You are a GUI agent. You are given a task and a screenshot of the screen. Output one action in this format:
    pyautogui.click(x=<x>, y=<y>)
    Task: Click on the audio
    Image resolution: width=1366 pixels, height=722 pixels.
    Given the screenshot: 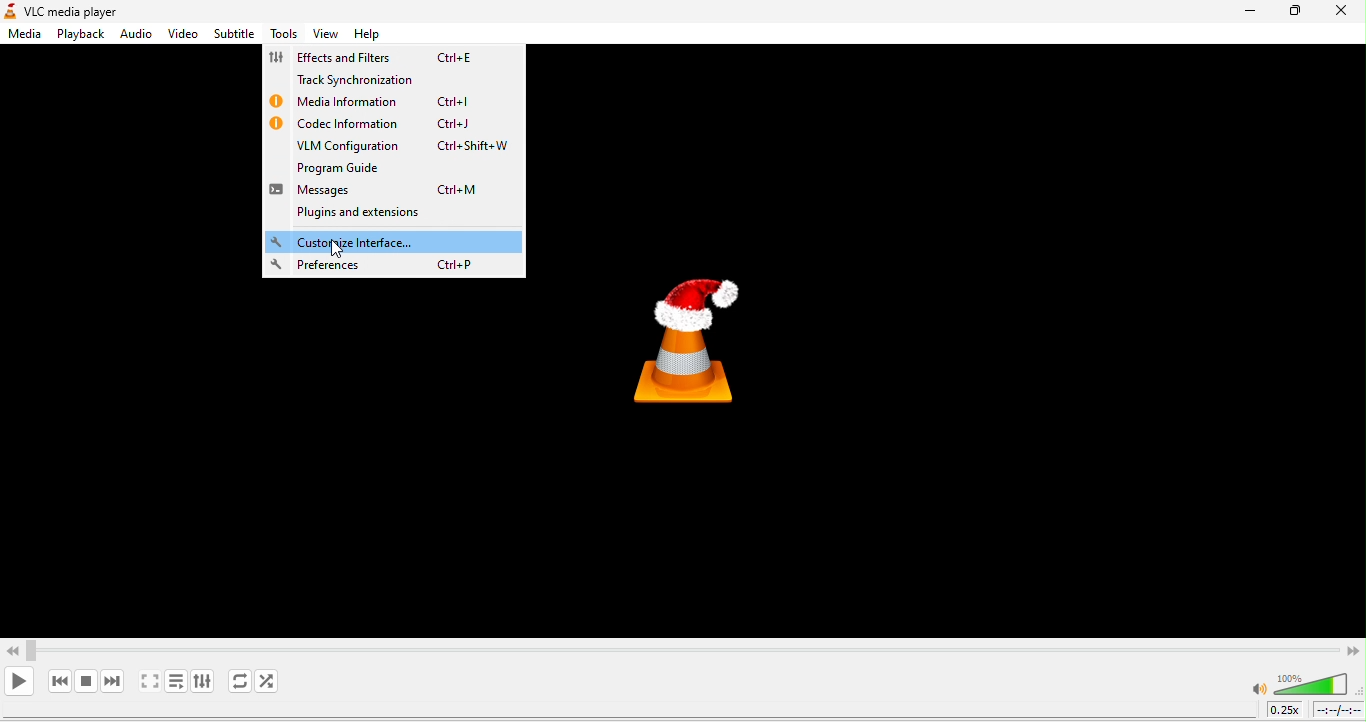 What is the action you would take?
    pyautogui.click(x=137, y=34)
    